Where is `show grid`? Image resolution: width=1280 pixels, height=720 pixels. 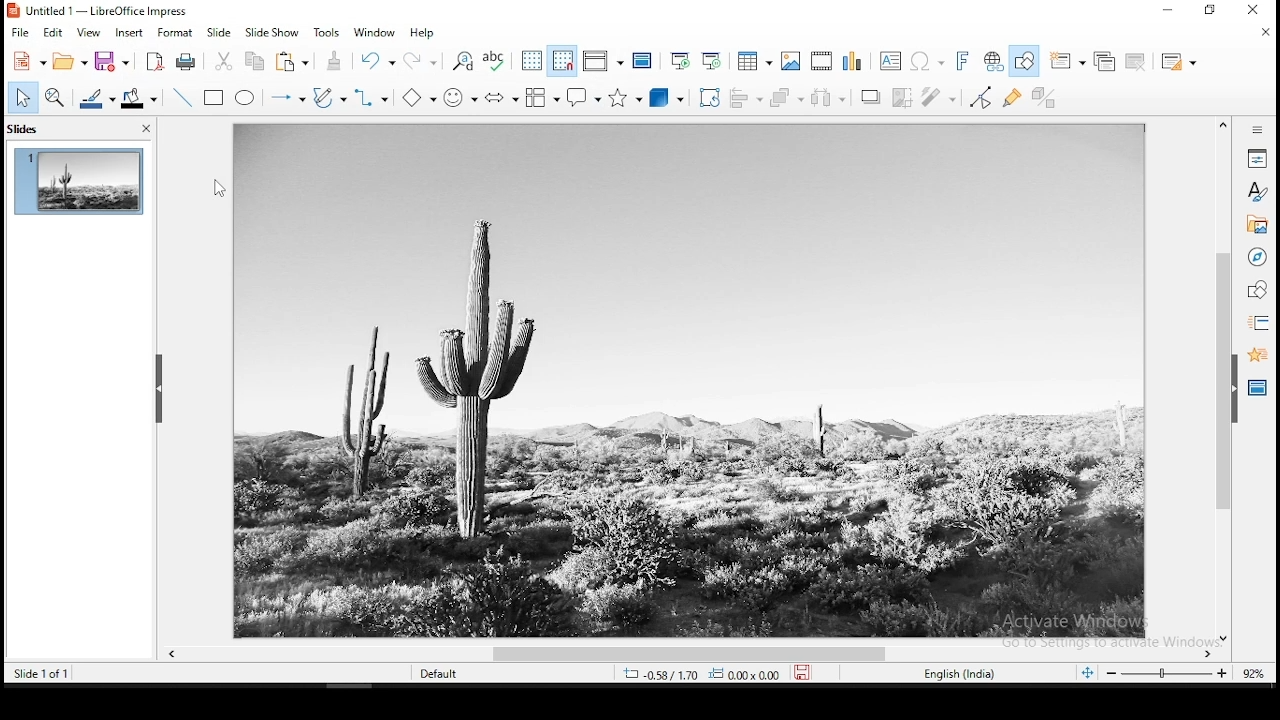 show grid is located at coordinates (532, 61).